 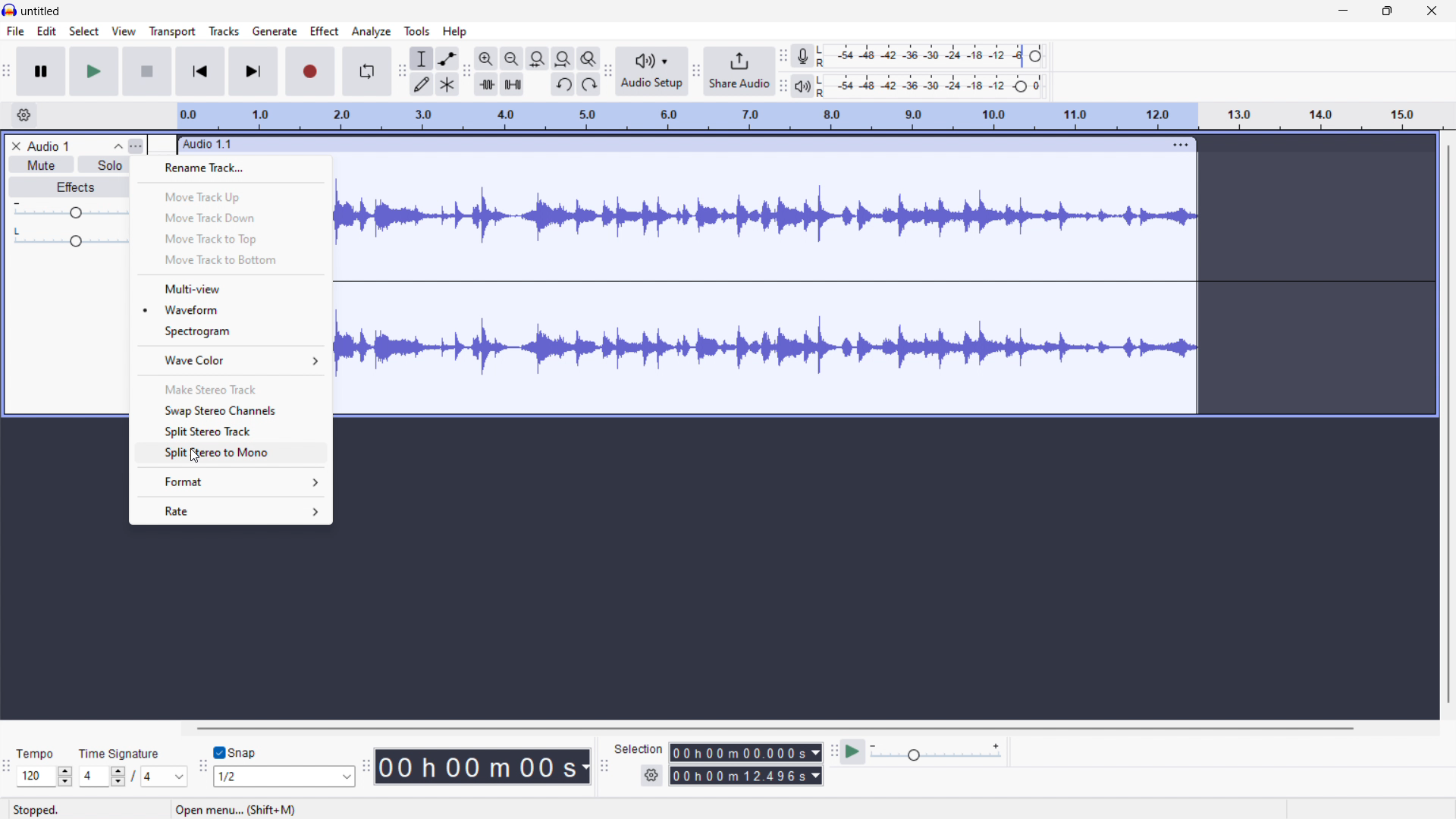 What do you see at coordinates (230, 238) in the screenshot?
I see `move track to top` at bounding box center [230, 238].